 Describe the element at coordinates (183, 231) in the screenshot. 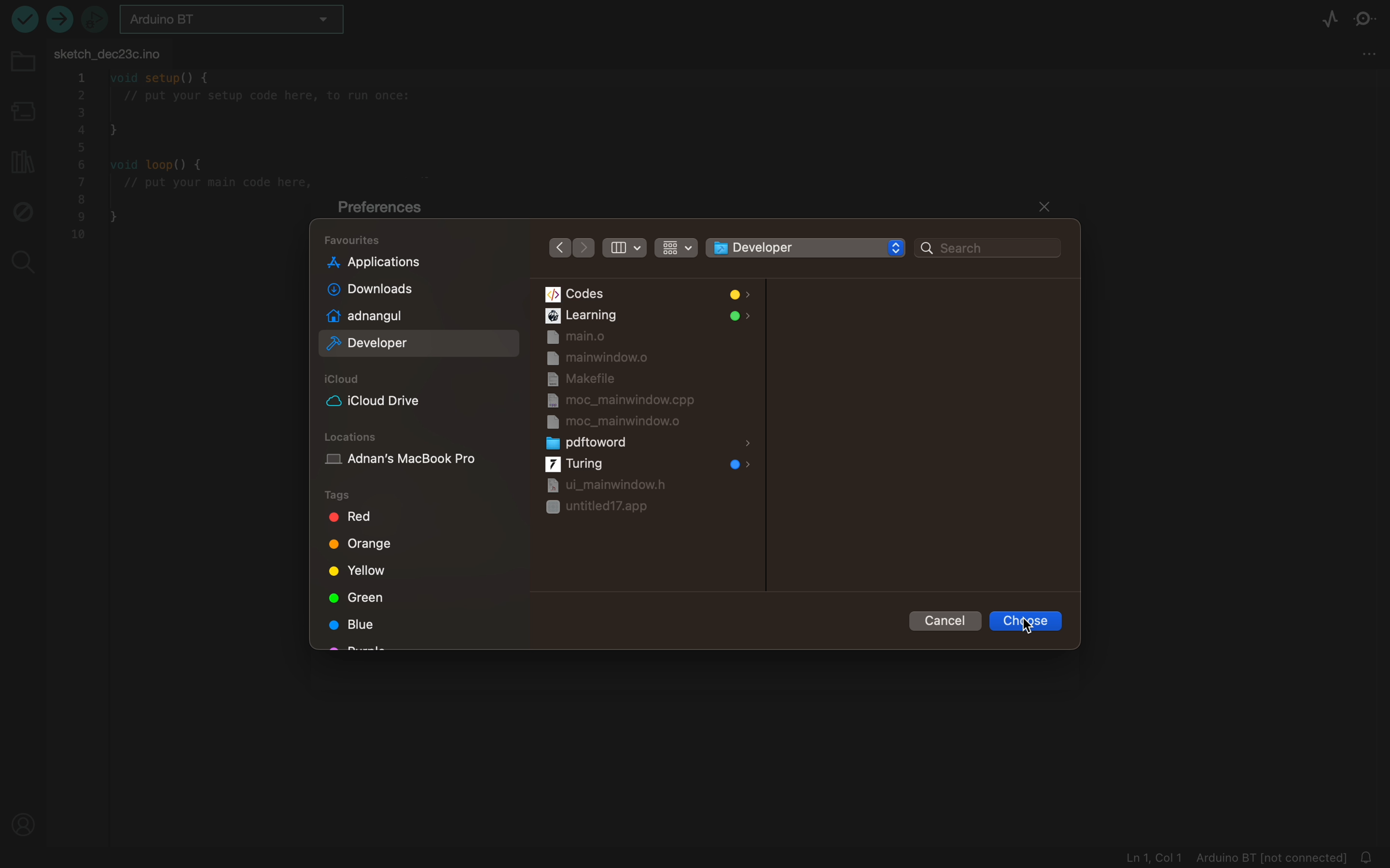

I see `file code` at that location.